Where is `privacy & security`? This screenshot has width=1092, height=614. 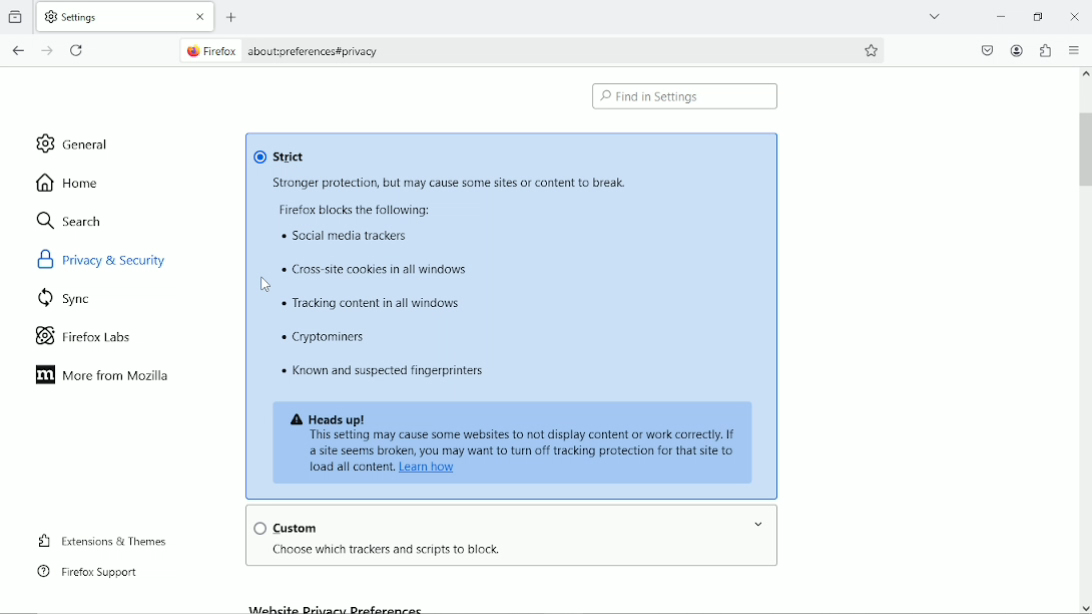 privacy & security is located at coordinates (111, 258).